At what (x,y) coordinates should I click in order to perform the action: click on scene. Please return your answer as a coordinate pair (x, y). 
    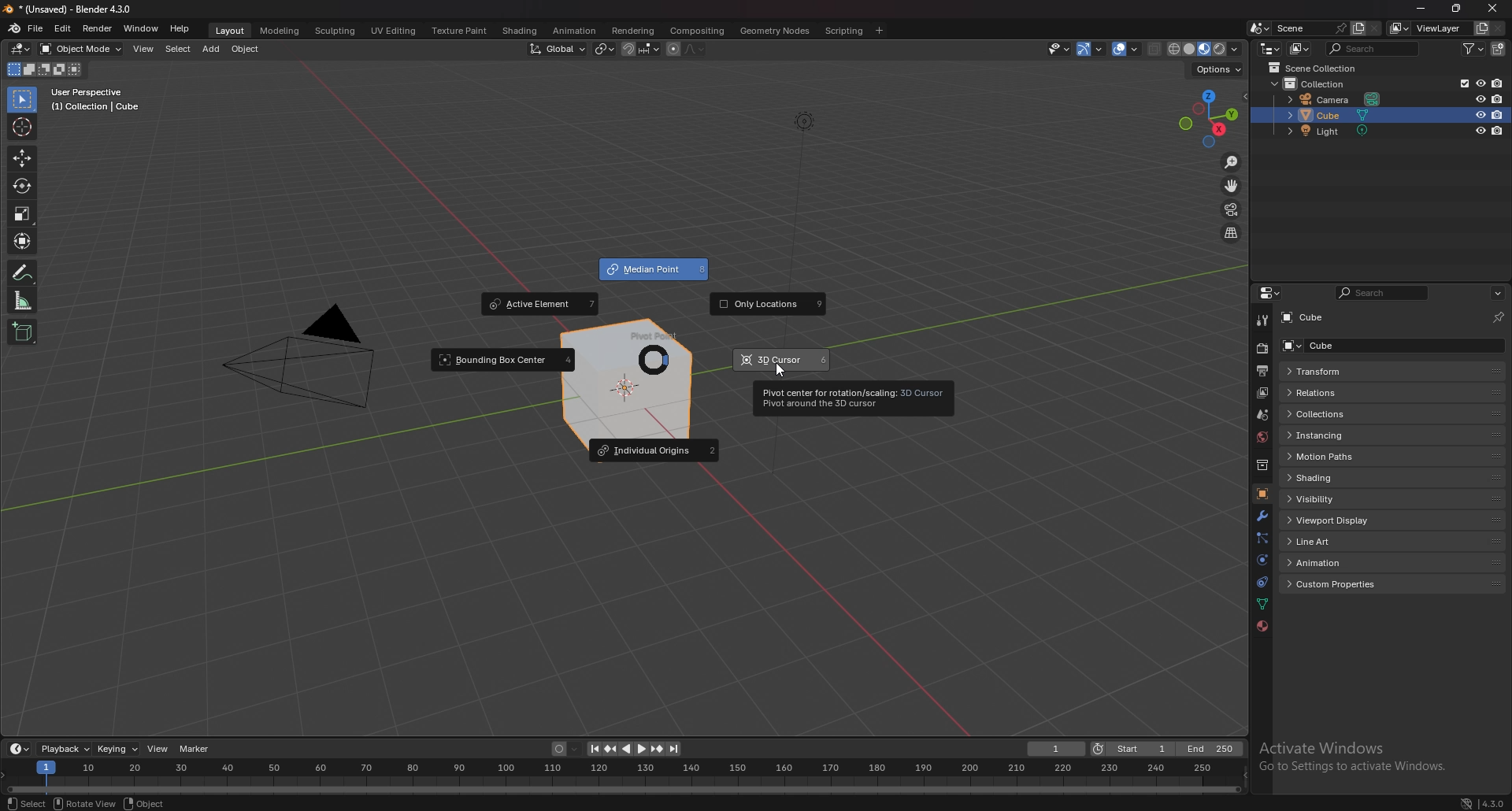
    Looking at the image, I should click on (1262, 415).